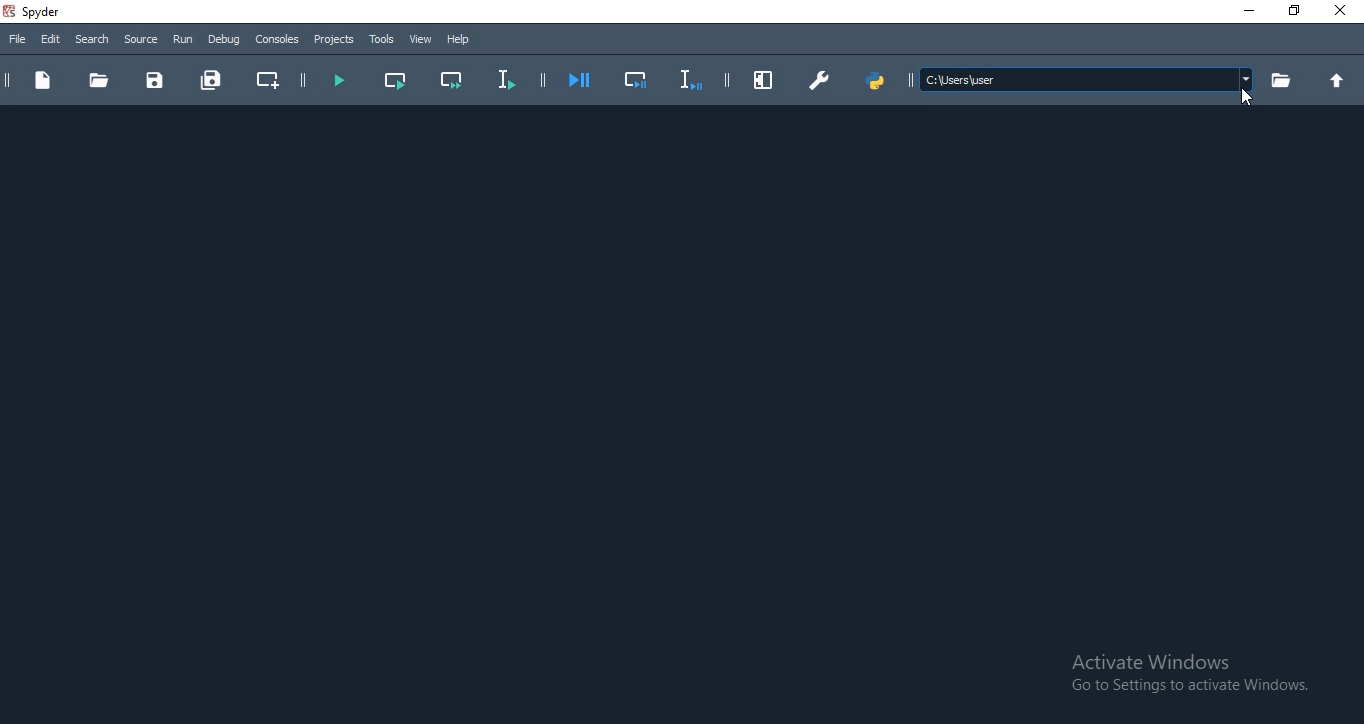 Image resolution: width=1364 pixels, height=724 pixels. I want to click on up folder, so click(1341, 81).